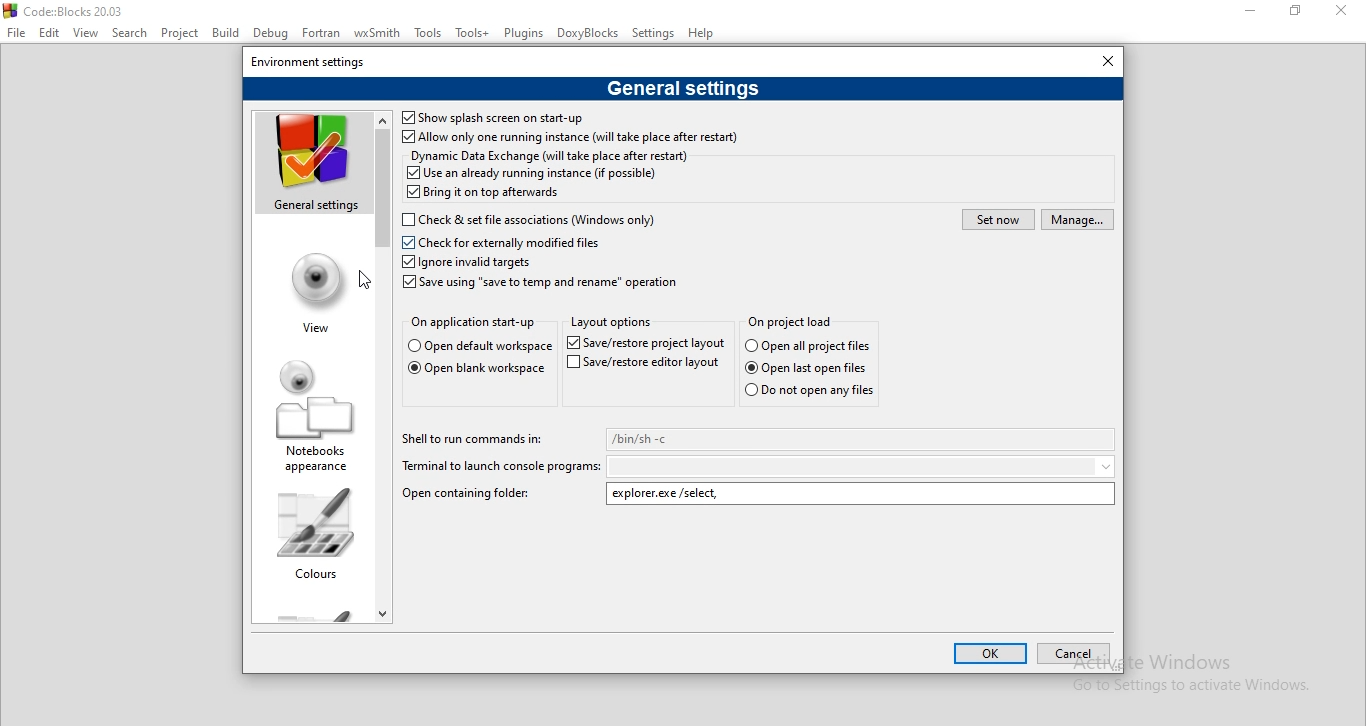 This screenshot has width=1366, height=726. What do you see at coordinates (183, 33) in the screenshot?
I see `Project` at bounding box center [183, 33].